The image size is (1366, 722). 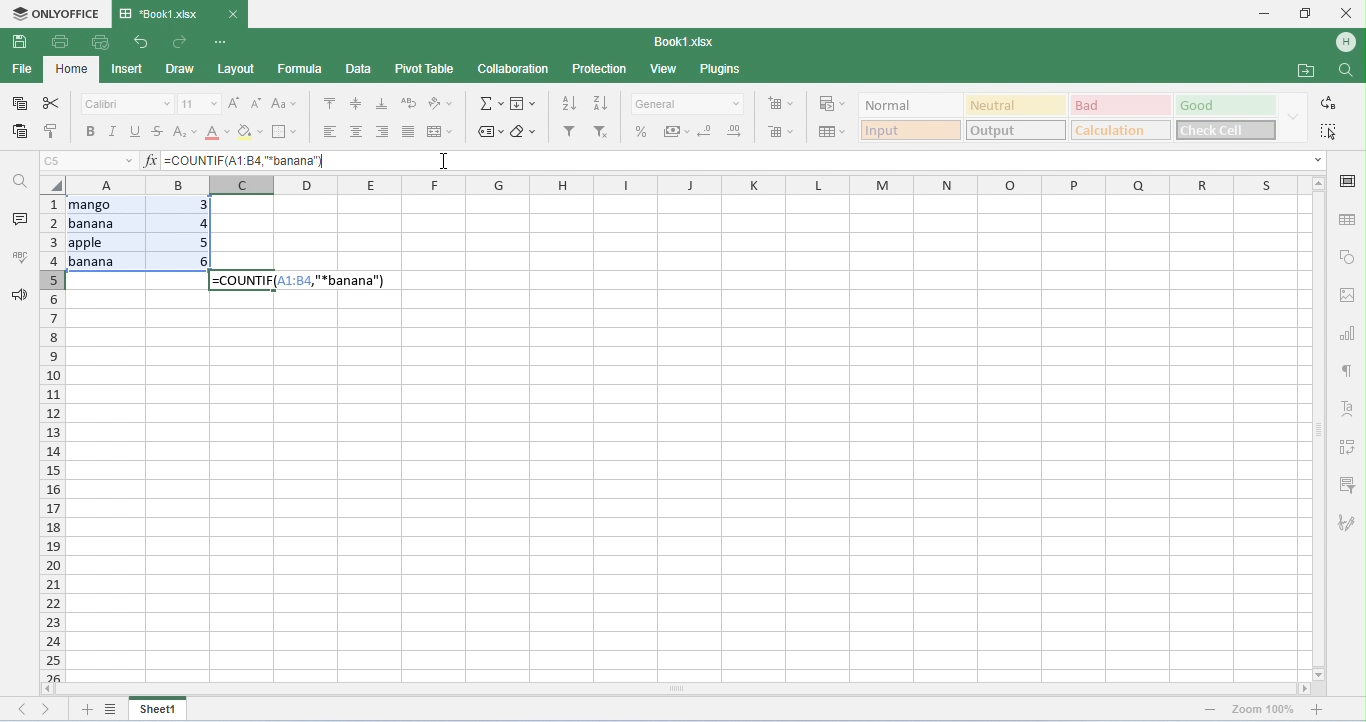 I want to click on align left, so click(x=382, y=133).